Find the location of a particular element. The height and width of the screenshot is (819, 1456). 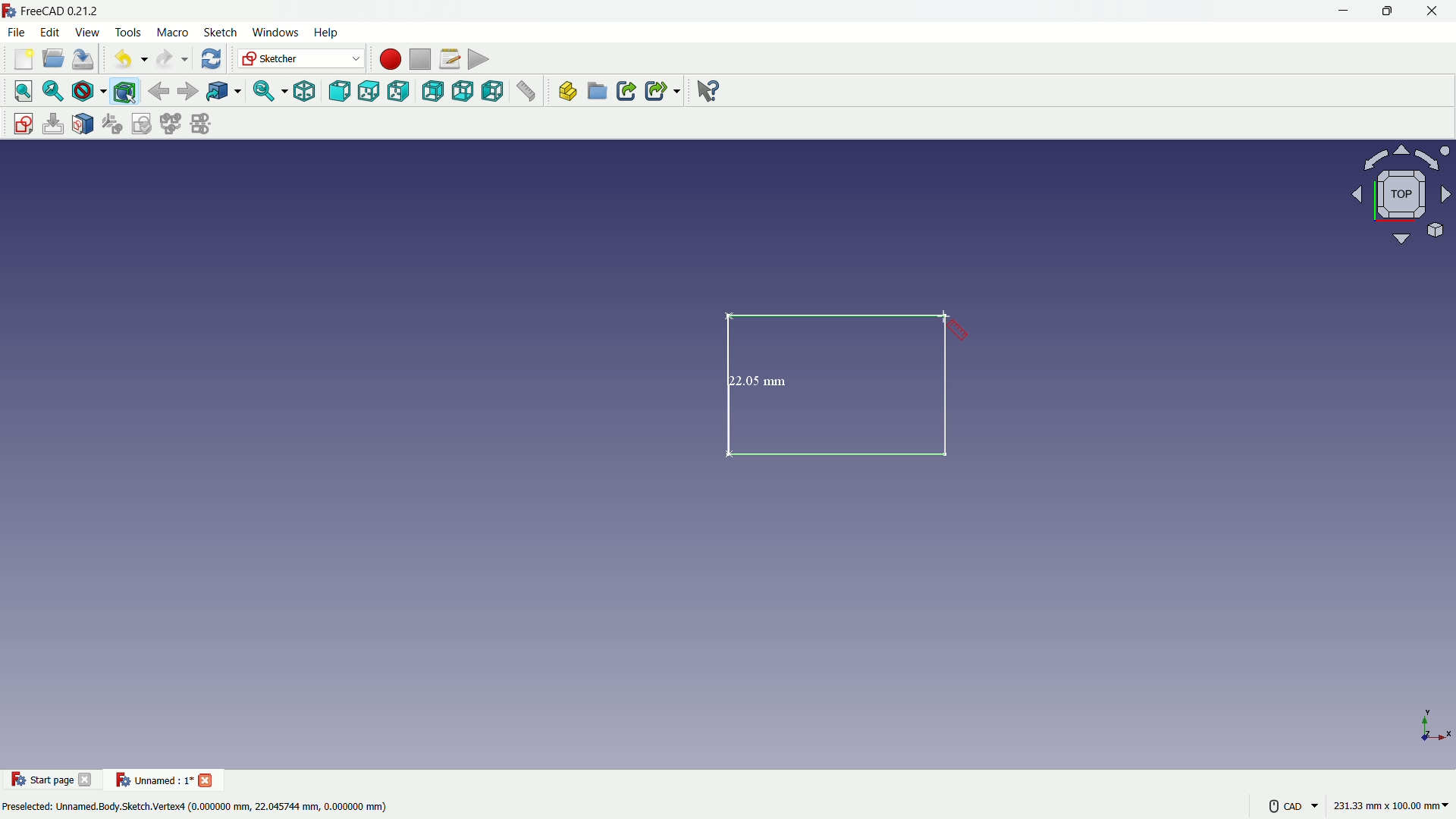

close app is located at coordinates (1436, 11).